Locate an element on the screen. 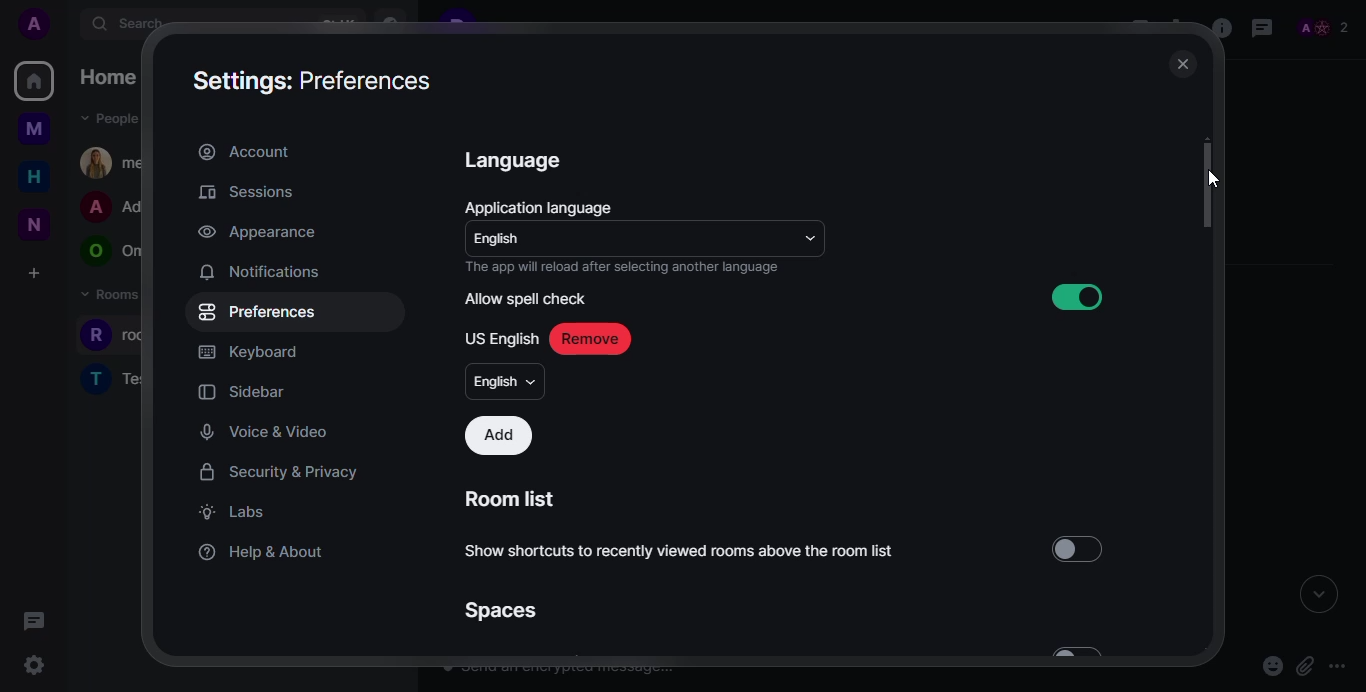 This screenshot has width=1366, height=692. account is located at coordinates (244, 150).